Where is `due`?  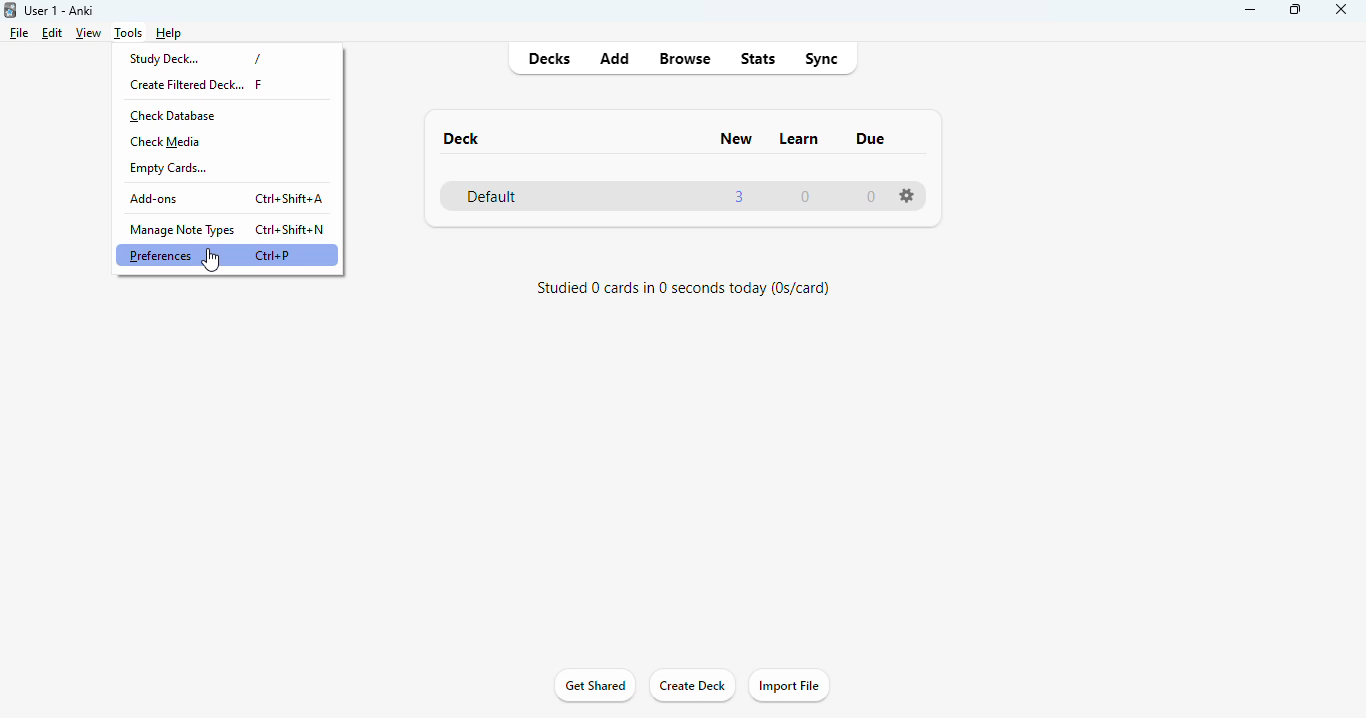 due is located at coordinates (873, 138).